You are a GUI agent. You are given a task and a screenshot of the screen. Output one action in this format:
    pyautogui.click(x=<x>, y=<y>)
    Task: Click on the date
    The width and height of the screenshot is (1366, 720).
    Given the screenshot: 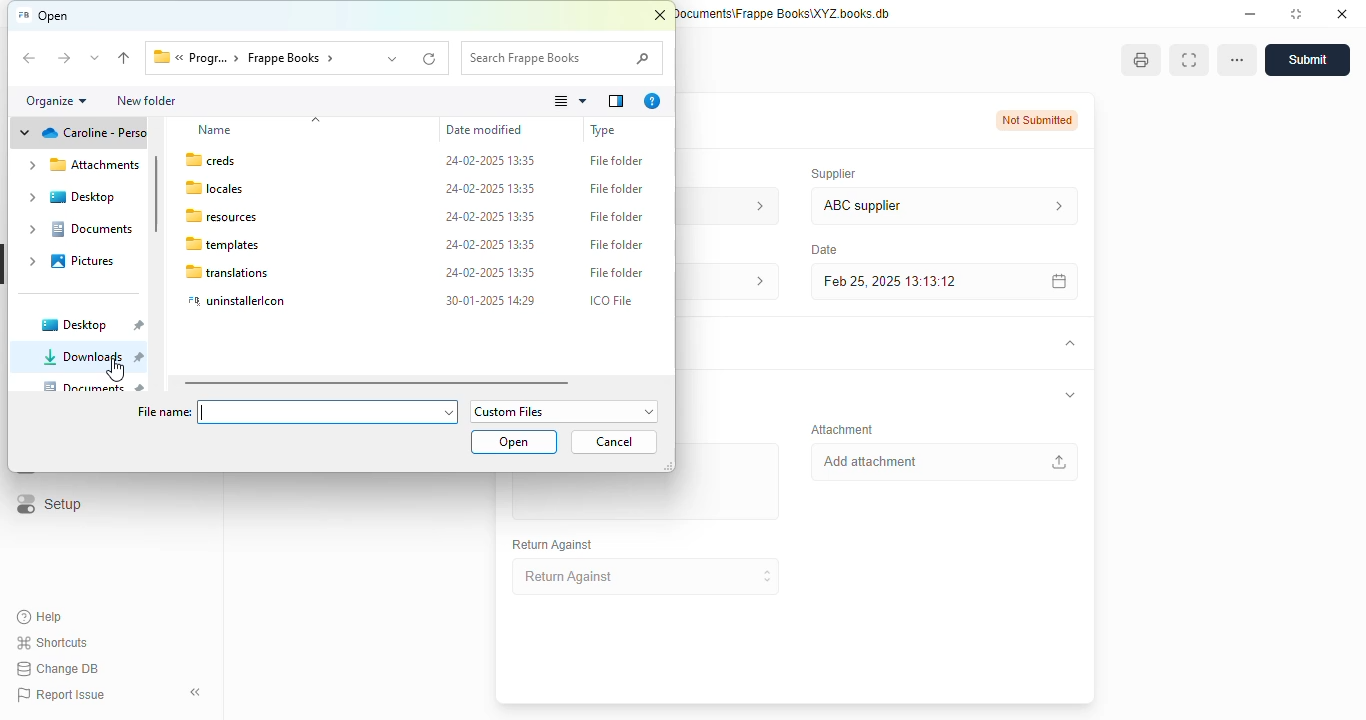 What is the action you would take?
    pyautogui.click(x=822, y=249)
    